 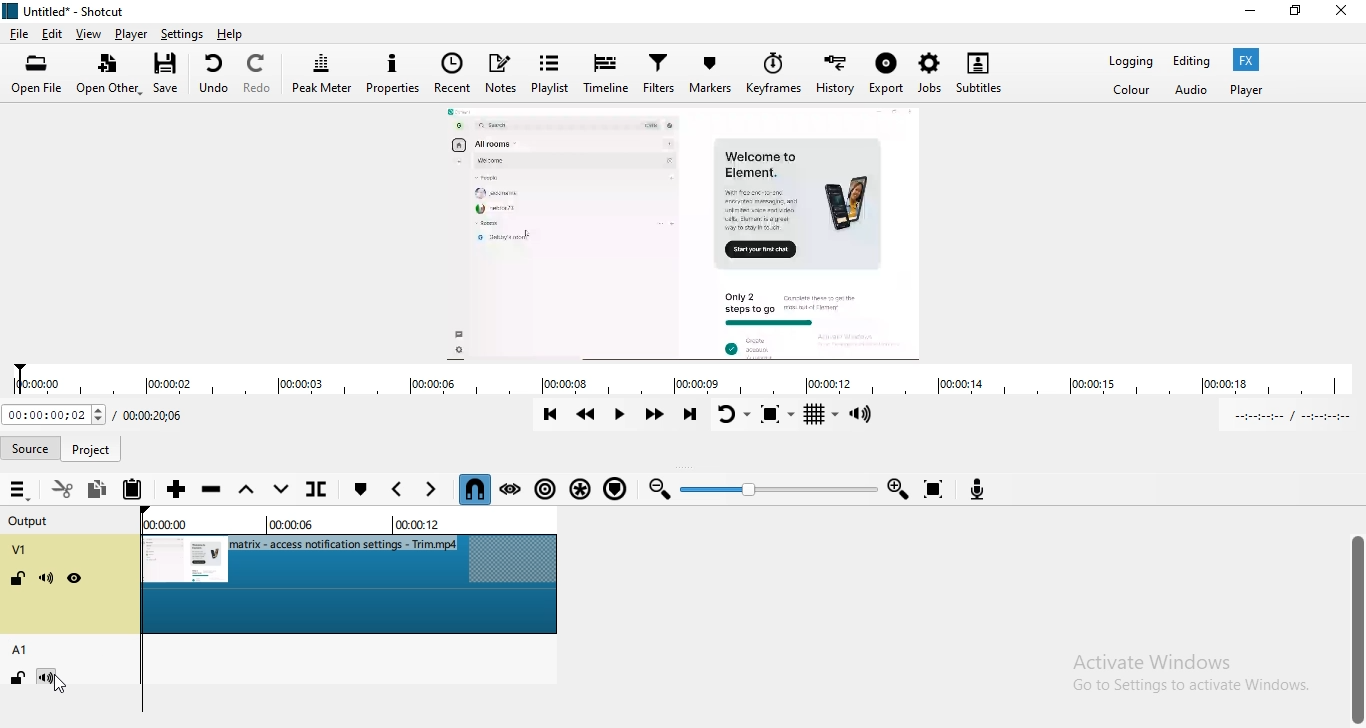 What do you see at coordinates (17, 678) in the screenshot?
I see `lock` at bounding box center [17, 678].